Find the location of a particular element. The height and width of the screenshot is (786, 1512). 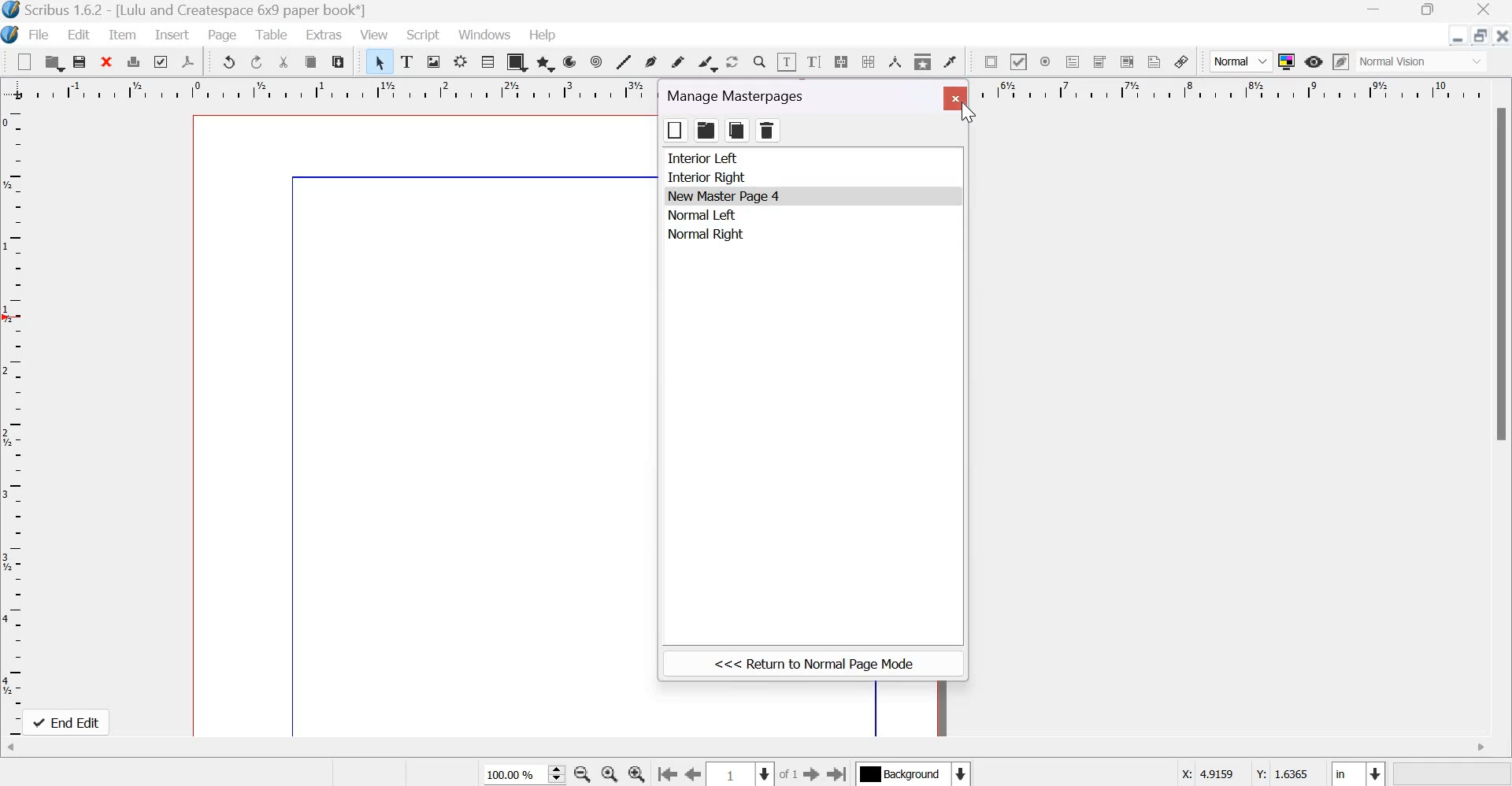

Text annotation is located at coordinates (1154, 61).